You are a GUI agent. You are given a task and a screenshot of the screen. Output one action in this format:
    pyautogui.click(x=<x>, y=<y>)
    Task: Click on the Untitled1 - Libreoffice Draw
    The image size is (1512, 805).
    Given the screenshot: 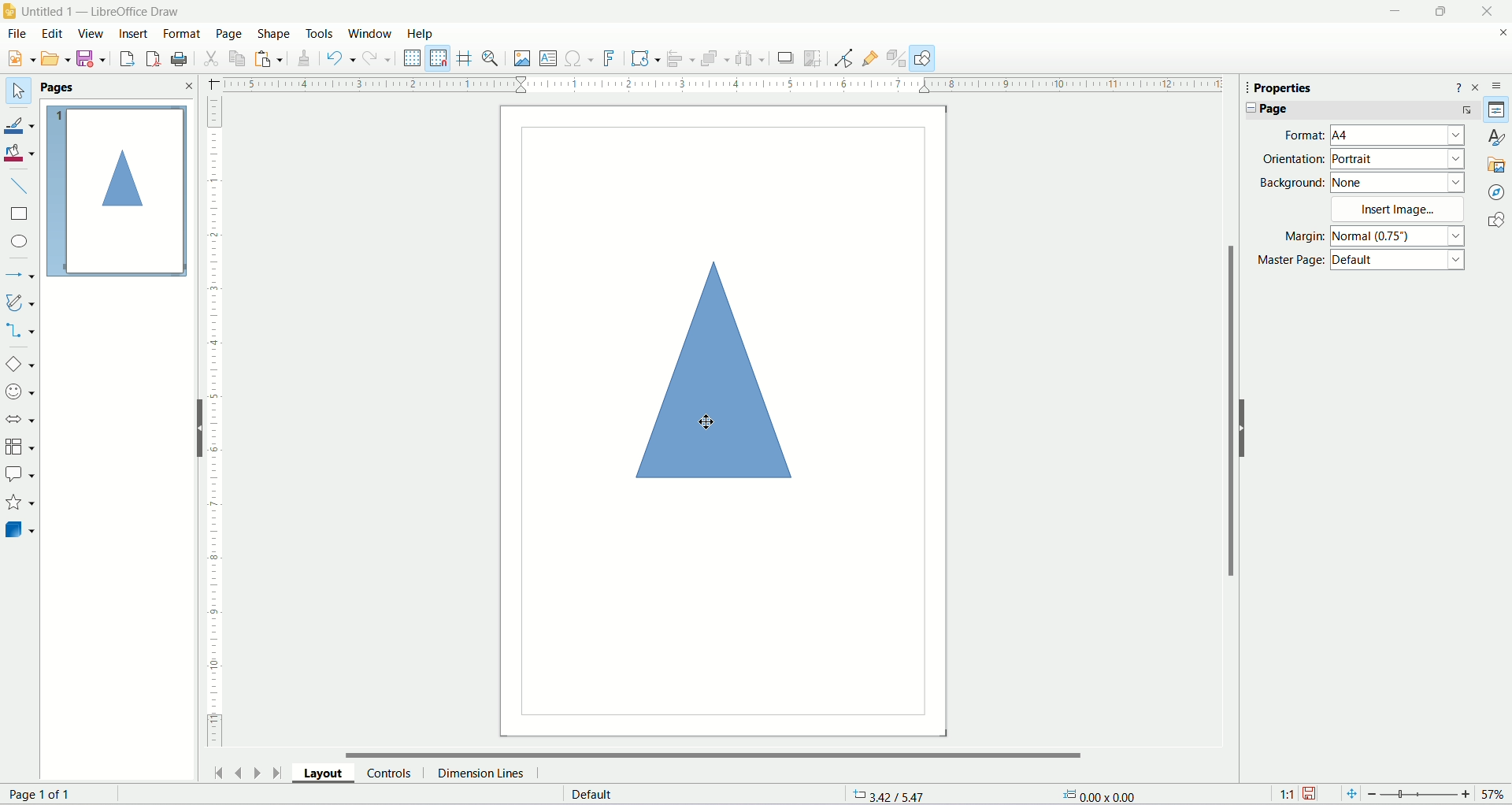 What is the action you would take?
    pyautogui.click(x=102, y=10)
    